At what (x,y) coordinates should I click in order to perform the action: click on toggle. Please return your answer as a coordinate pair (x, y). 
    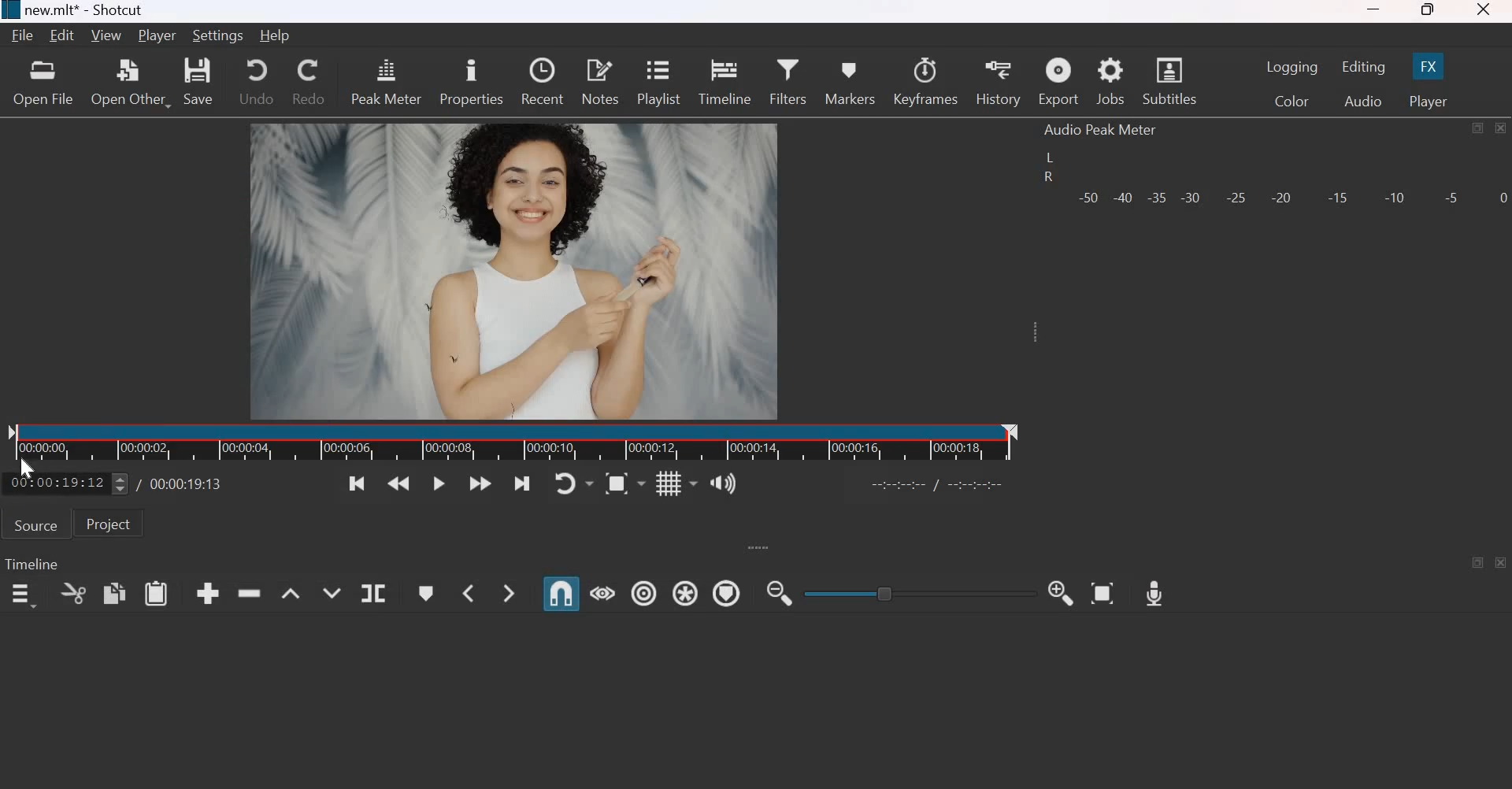
    Looking at the image, I should click on (921, 591).